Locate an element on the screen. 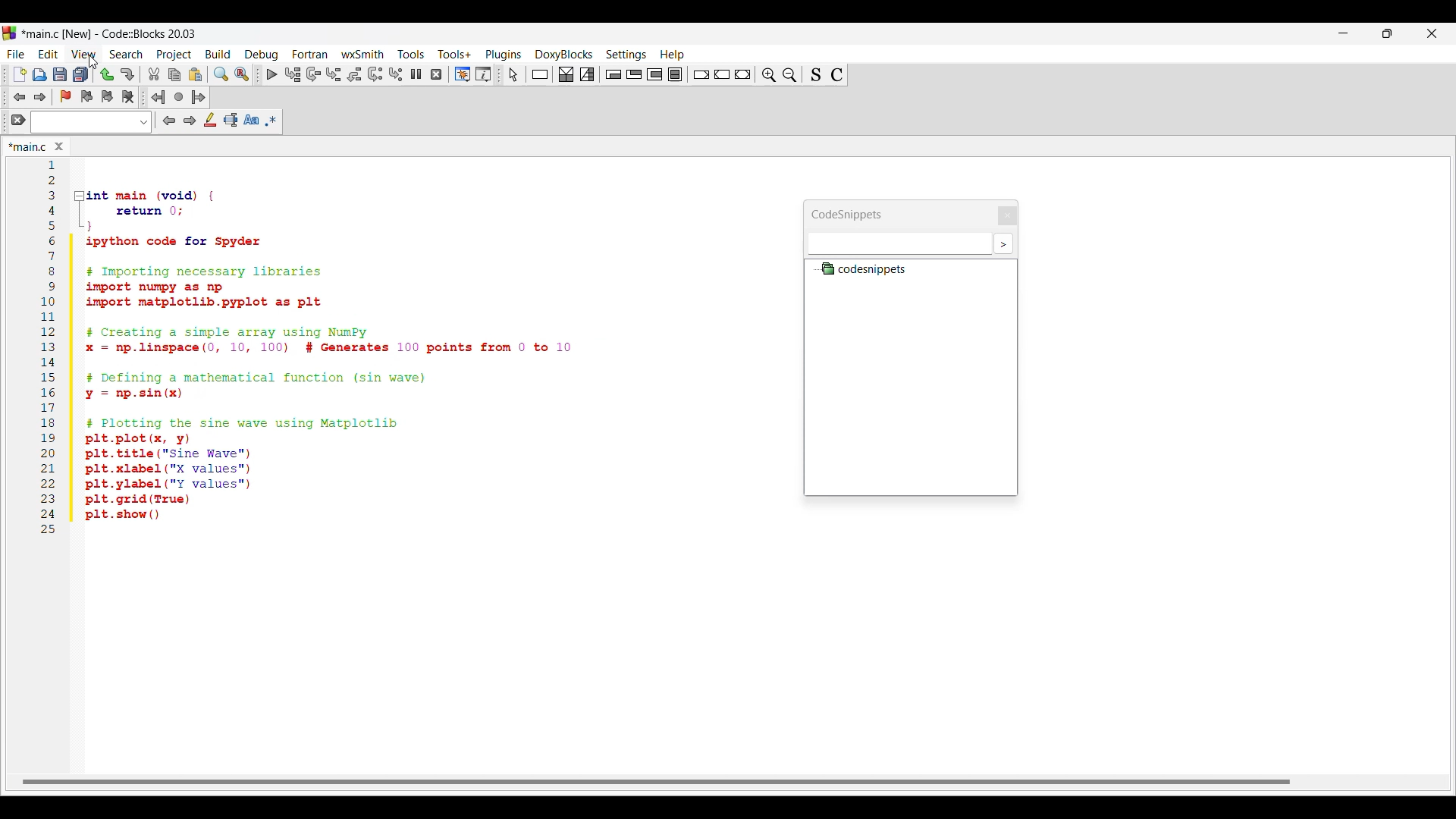 This screenshot has width=1456, height=819. Save is located at coordinates (60, 74).